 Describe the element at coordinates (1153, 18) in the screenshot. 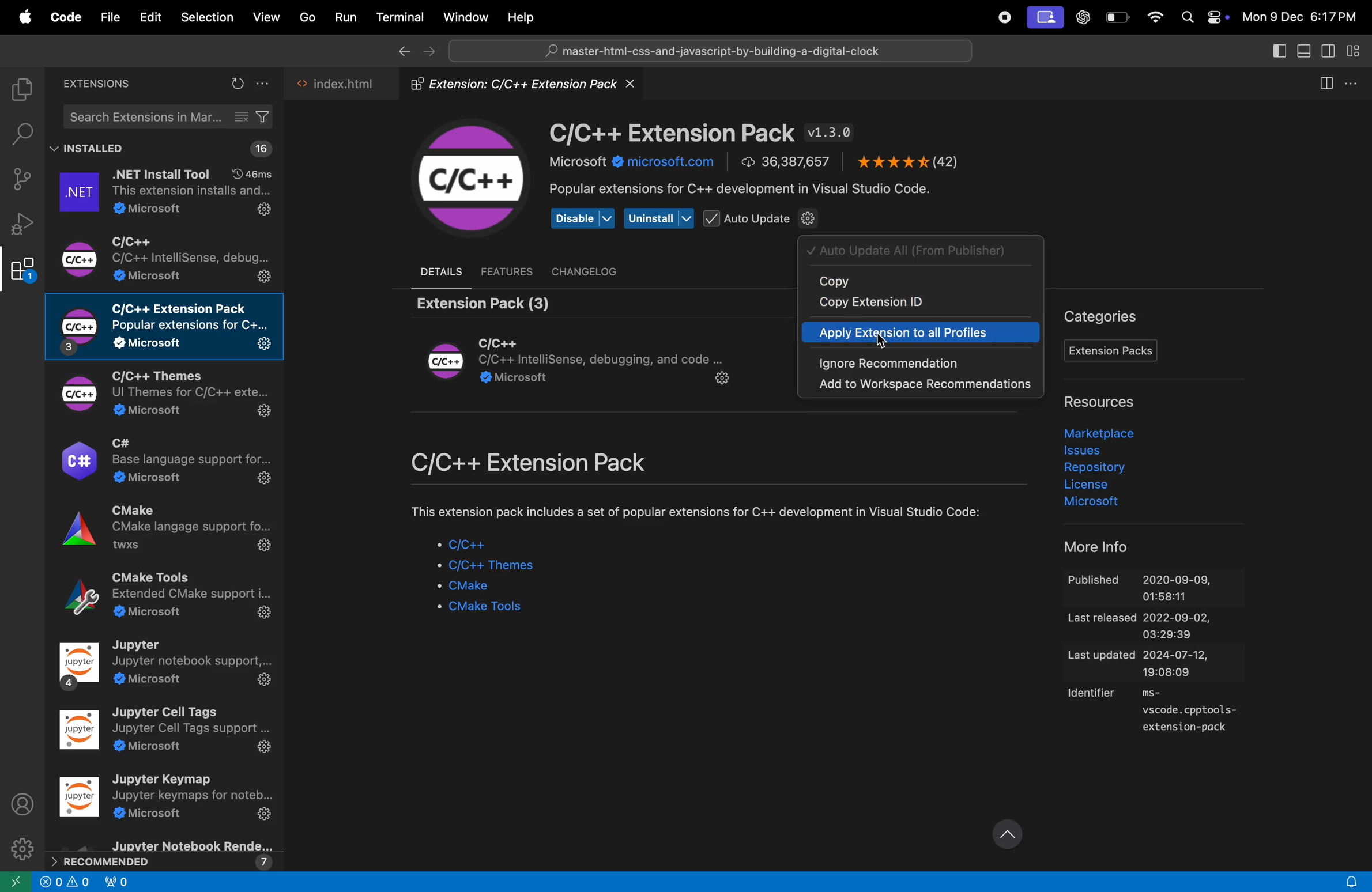

I see `wifi` at that location.